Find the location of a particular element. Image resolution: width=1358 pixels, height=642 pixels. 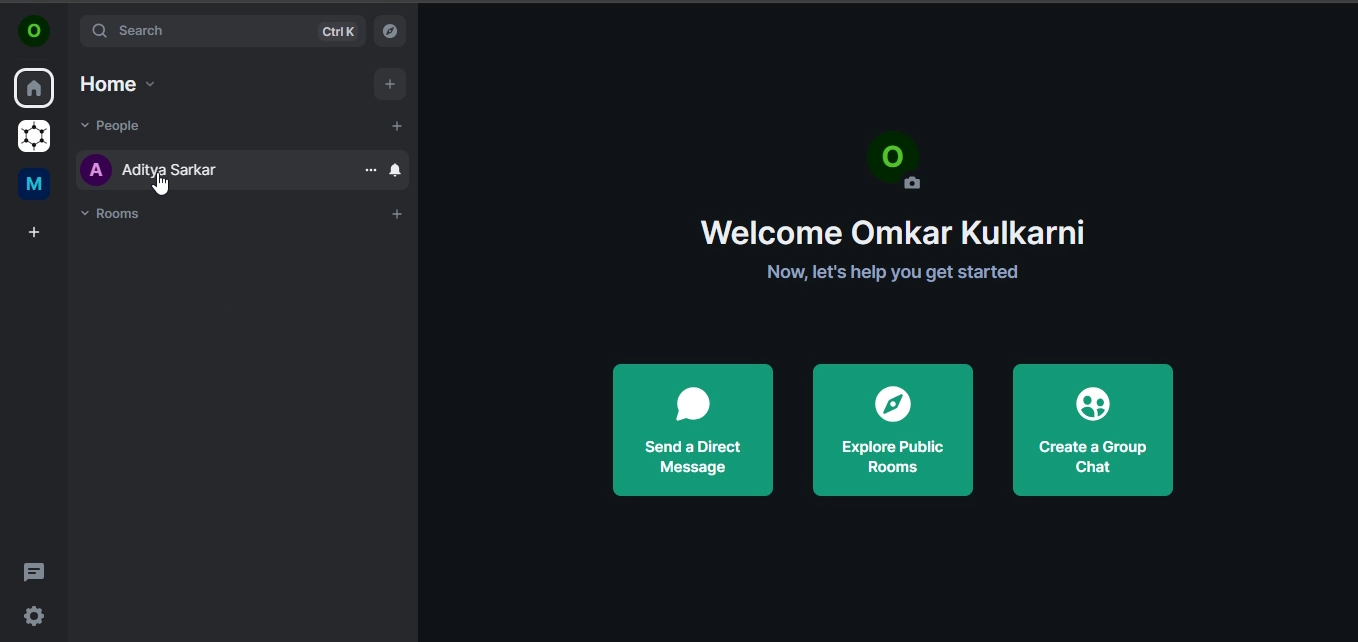

room options is located at coordinates (370, 170).